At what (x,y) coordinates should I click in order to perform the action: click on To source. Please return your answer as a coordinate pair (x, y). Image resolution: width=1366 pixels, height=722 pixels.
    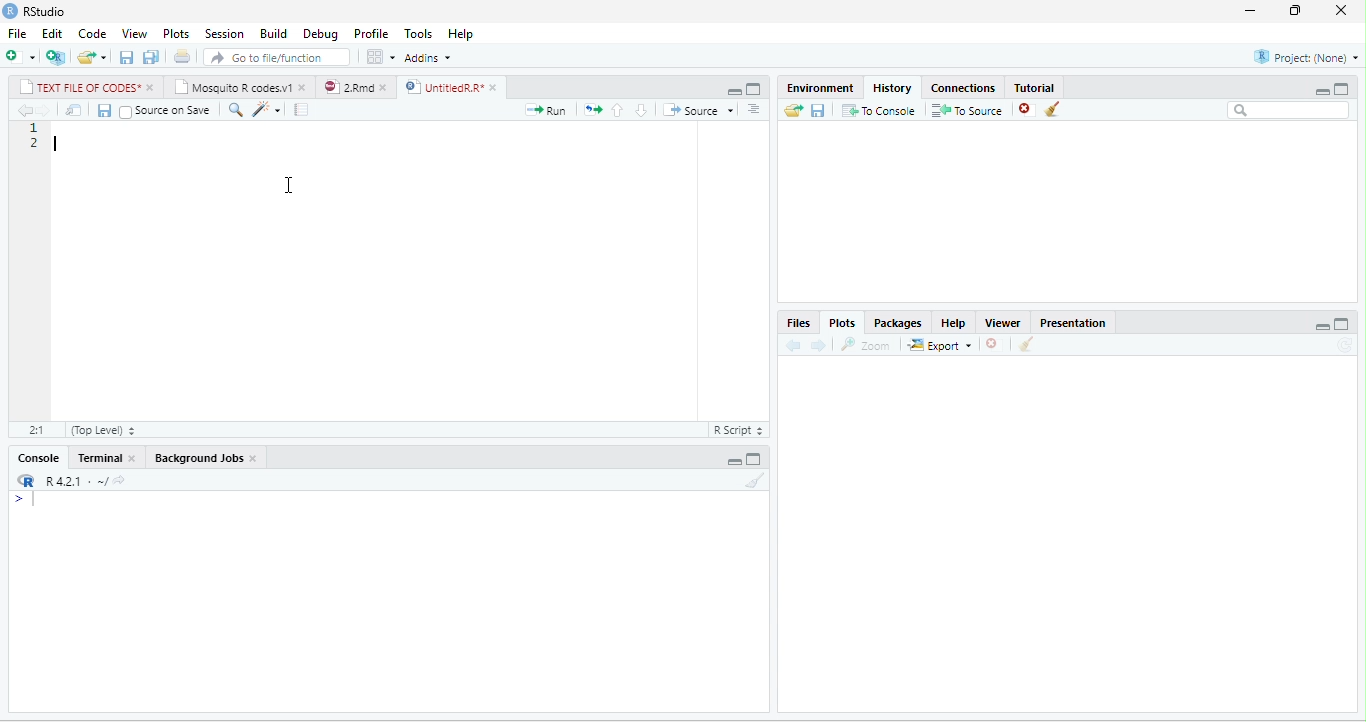
    Looking at the image, I should click on (965, 110).